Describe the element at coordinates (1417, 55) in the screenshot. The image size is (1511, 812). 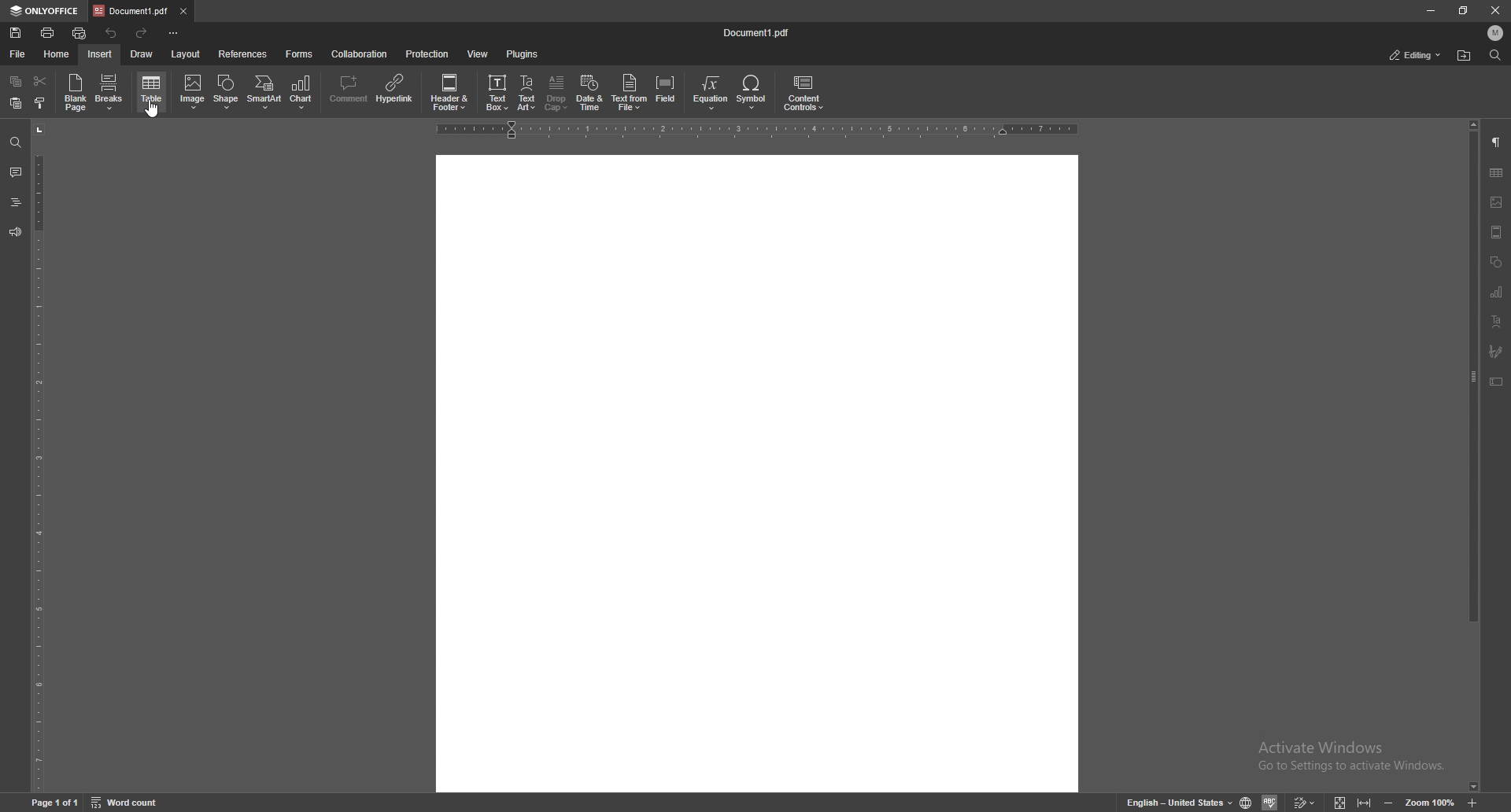
I see `status` at that location.